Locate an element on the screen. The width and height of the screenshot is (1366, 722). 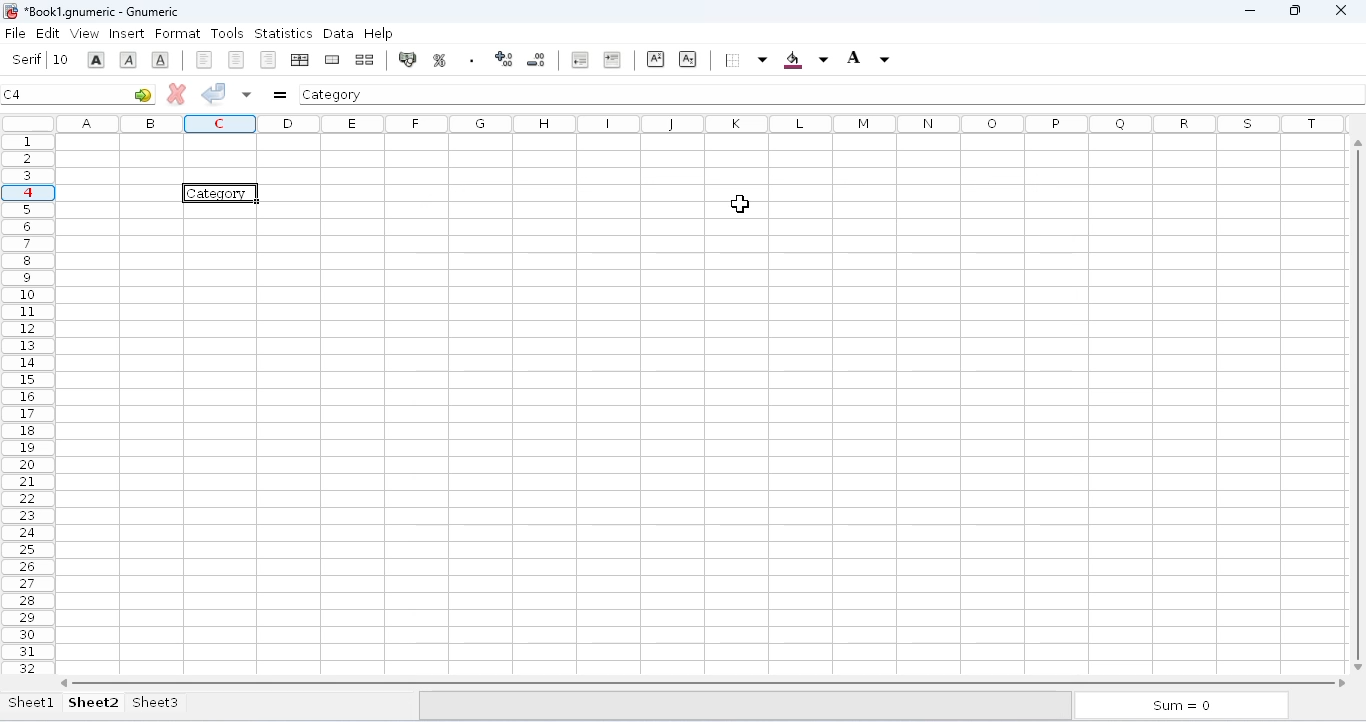
font size is located at coordinates (97, 59).